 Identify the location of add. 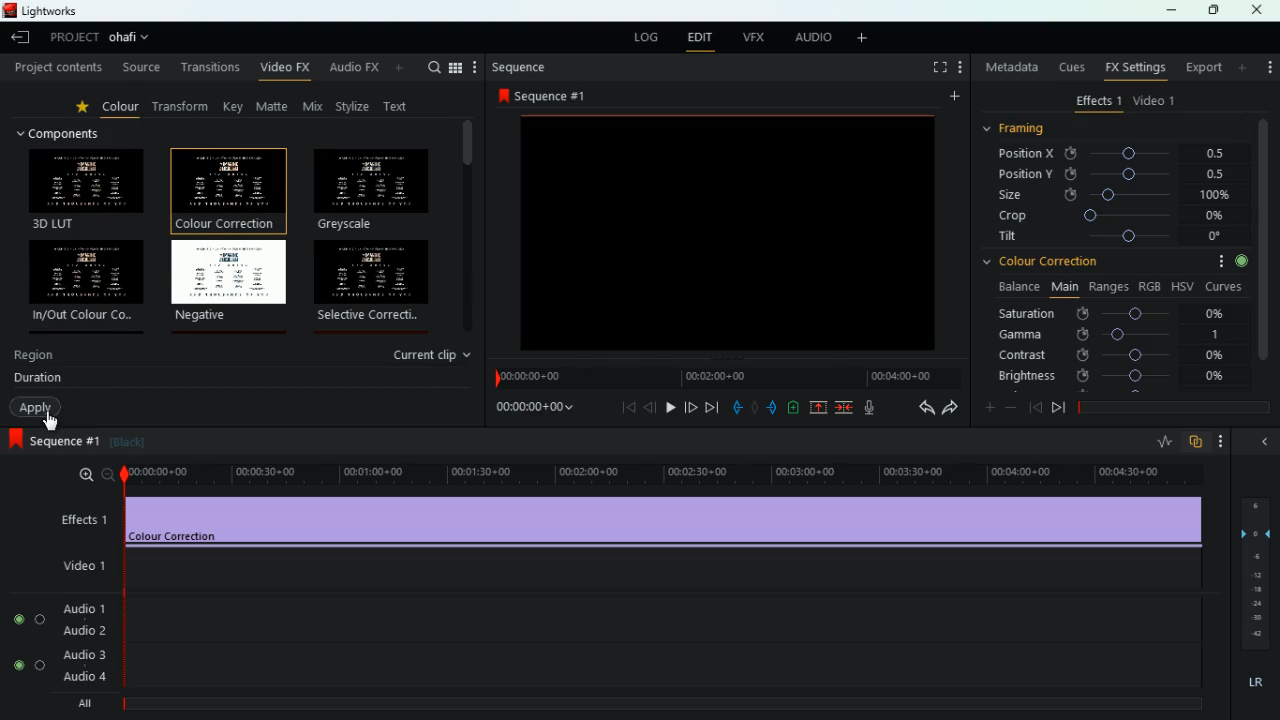
(792, 407).